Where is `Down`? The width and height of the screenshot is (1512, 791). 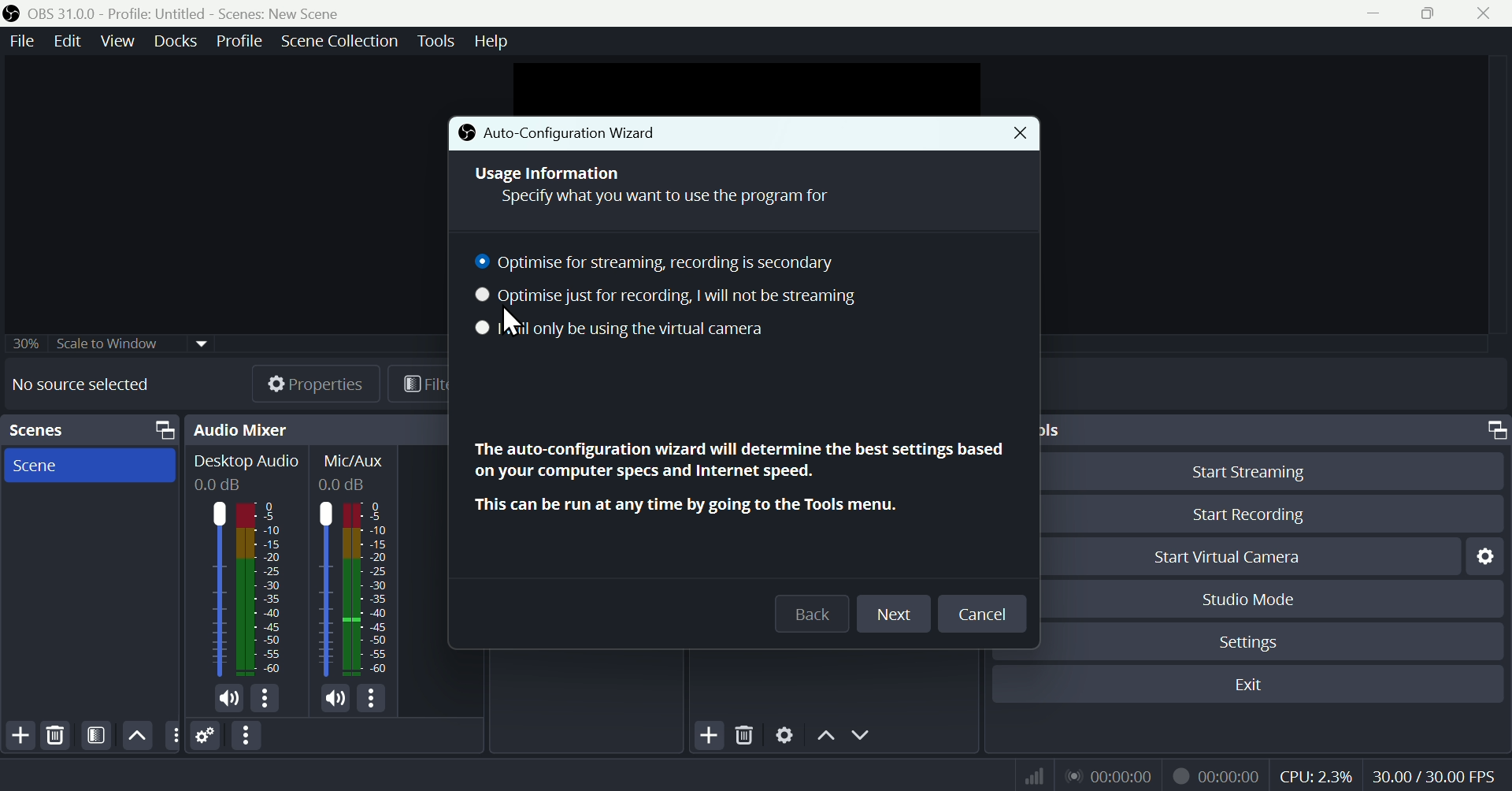
Down is located at coordinates (864, 734).